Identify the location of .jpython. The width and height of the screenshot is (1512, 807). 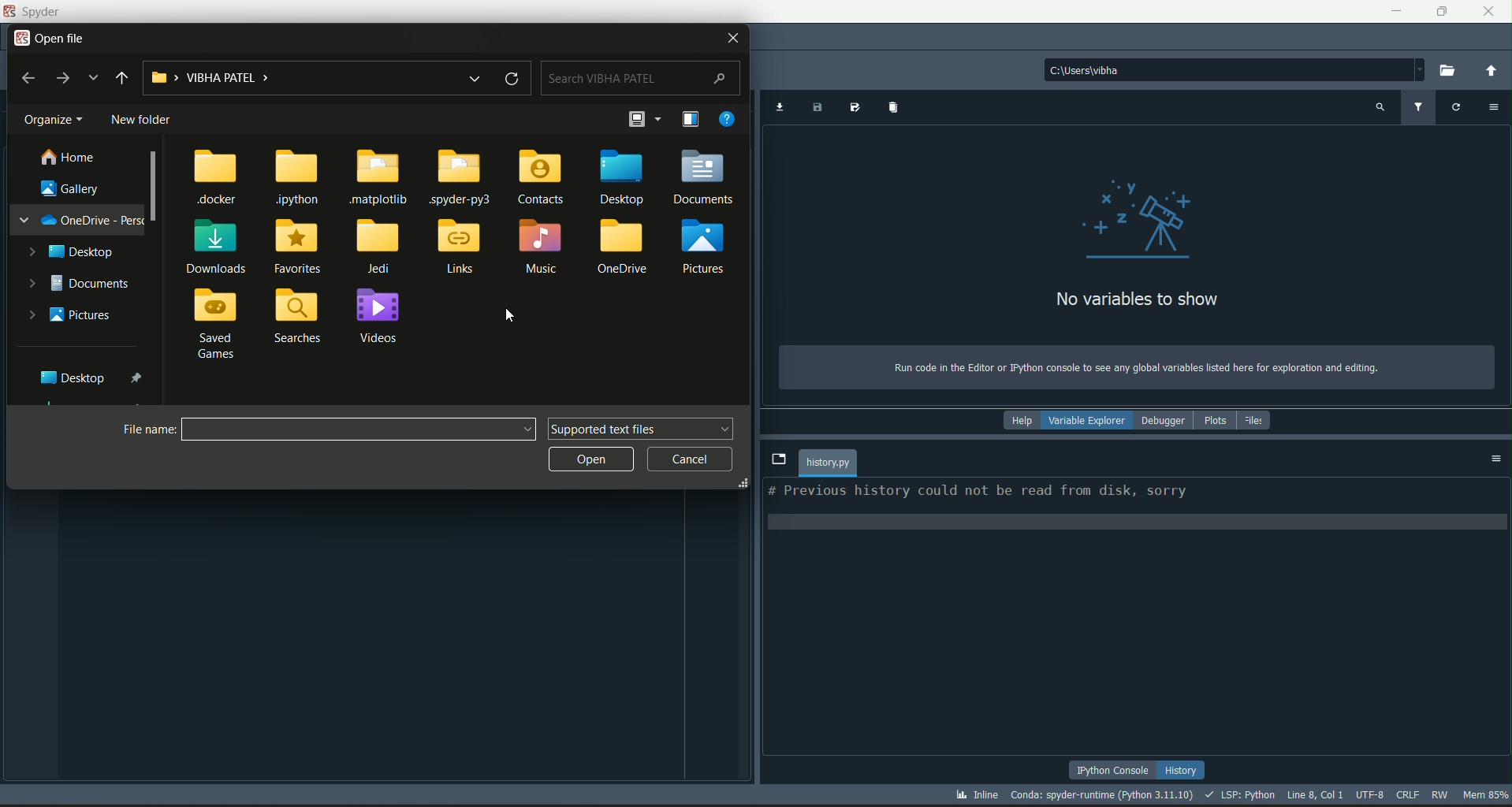
(298, 177).